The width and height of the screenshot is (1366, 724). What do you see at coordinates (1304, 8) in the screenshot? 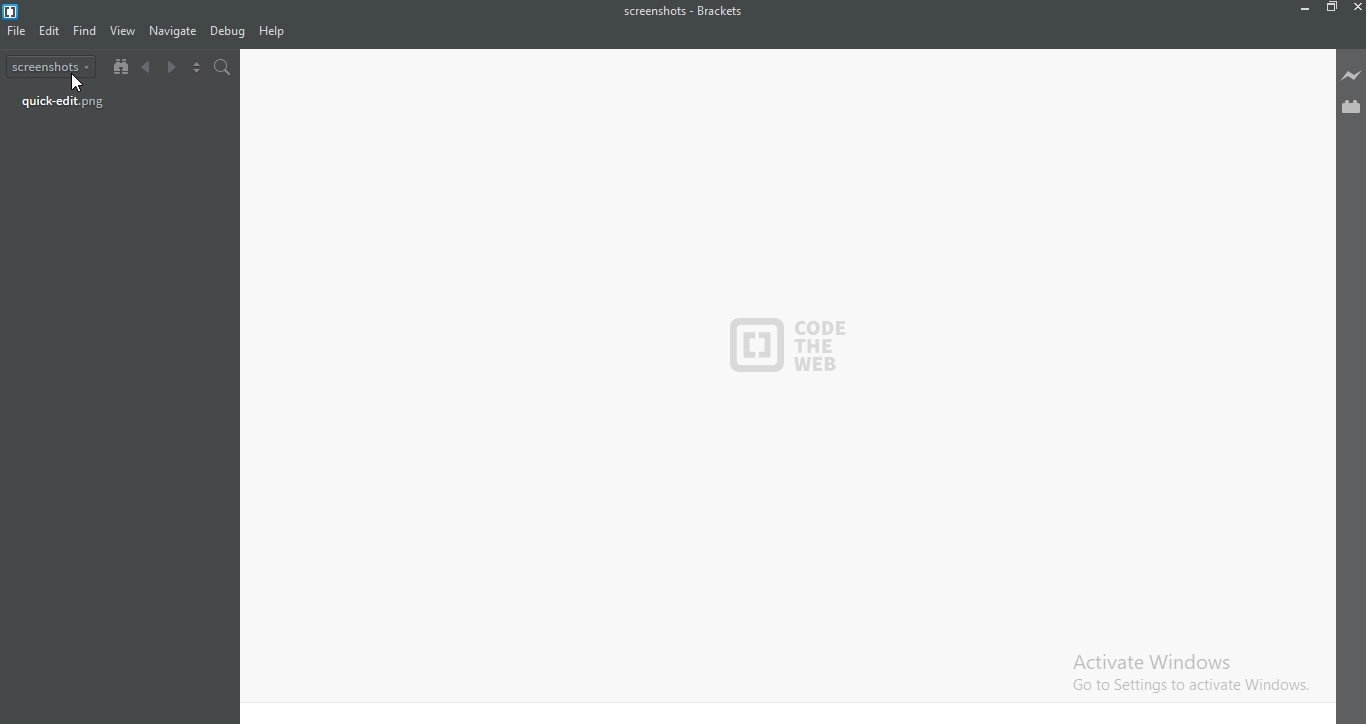
I see `Minimize` at bounding box center [1304, 8].